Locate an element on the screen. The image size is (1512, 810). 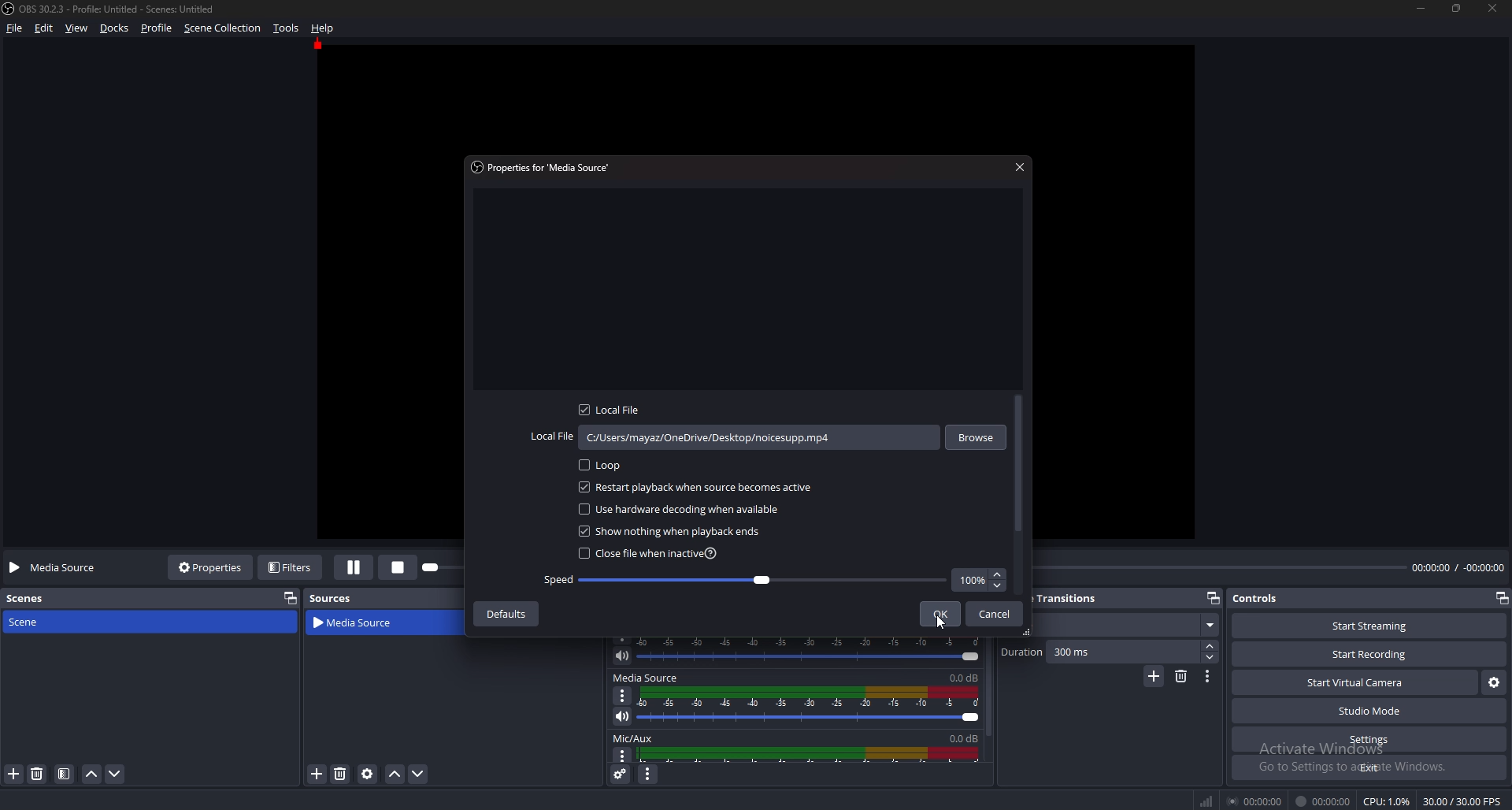
add scene is located at coordinates (15, 774).